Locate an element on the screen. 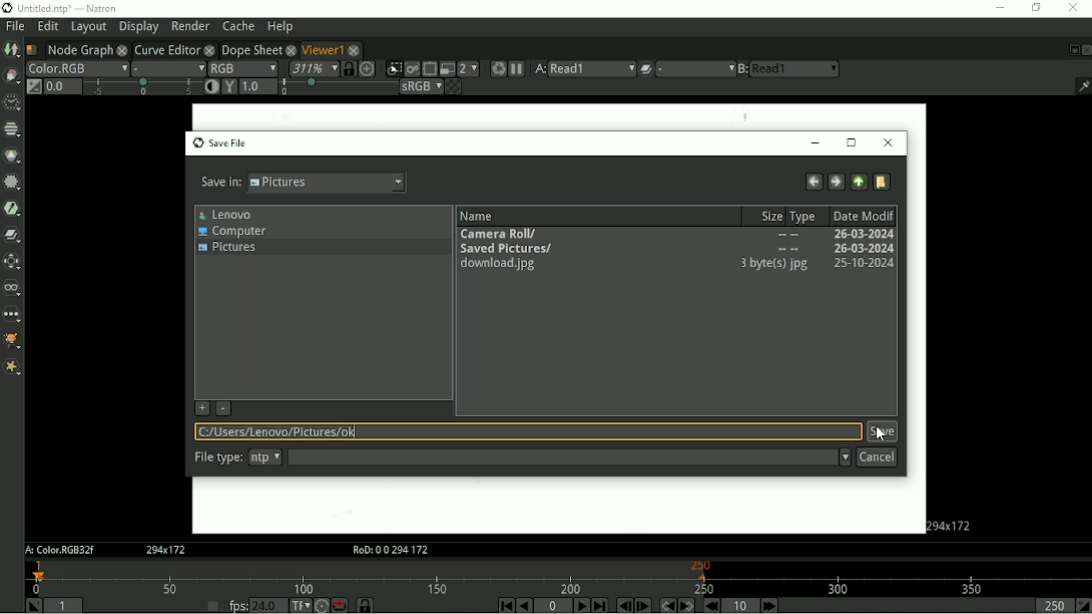 The height and width of the screenshot is (614, 1092). Next keyframe is located at coordinates (687, 605).